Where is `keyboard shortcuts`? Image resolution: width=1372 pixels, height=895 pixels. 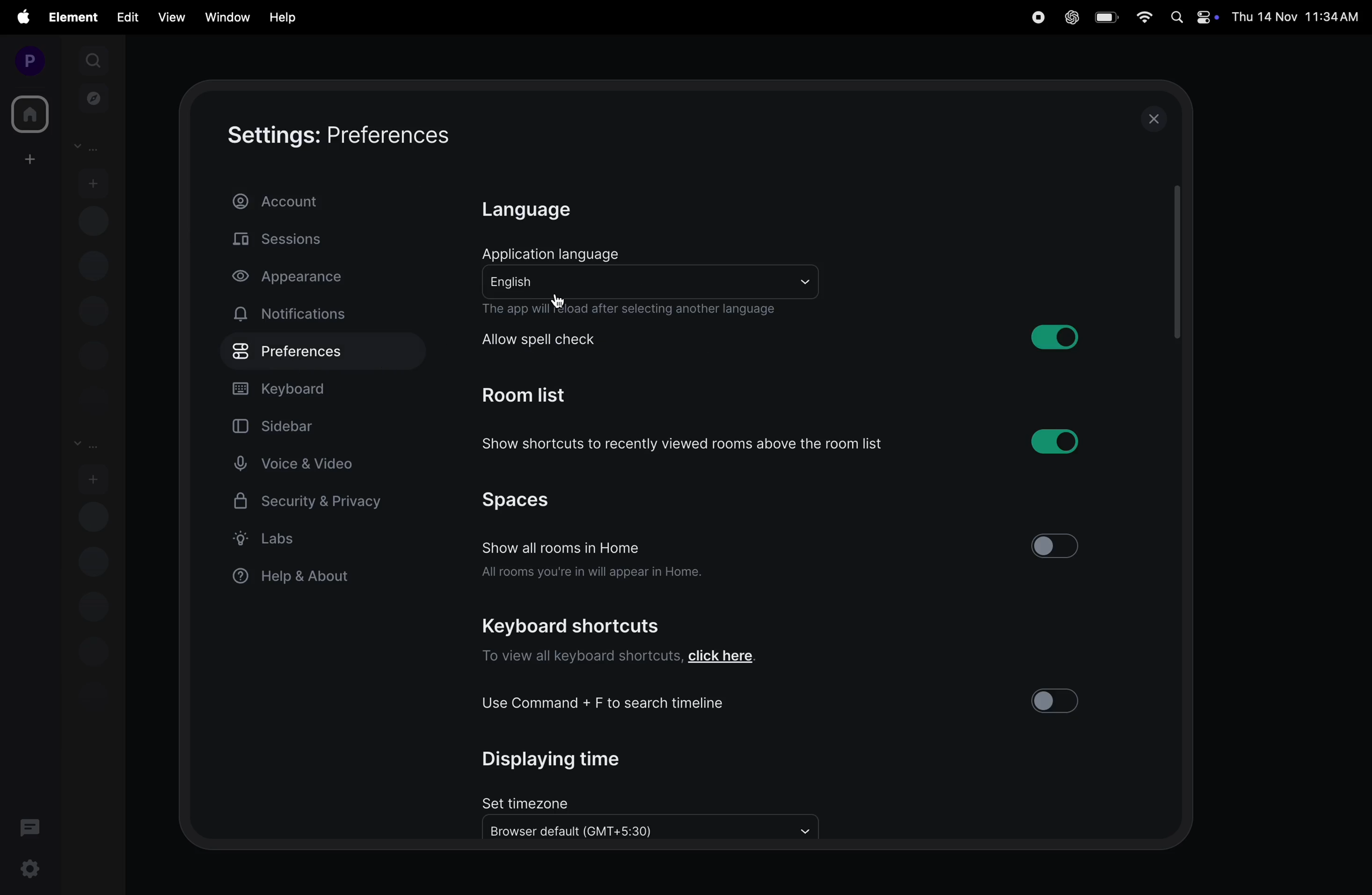
keyboard shortcuts is located at coordinates (590, 629).